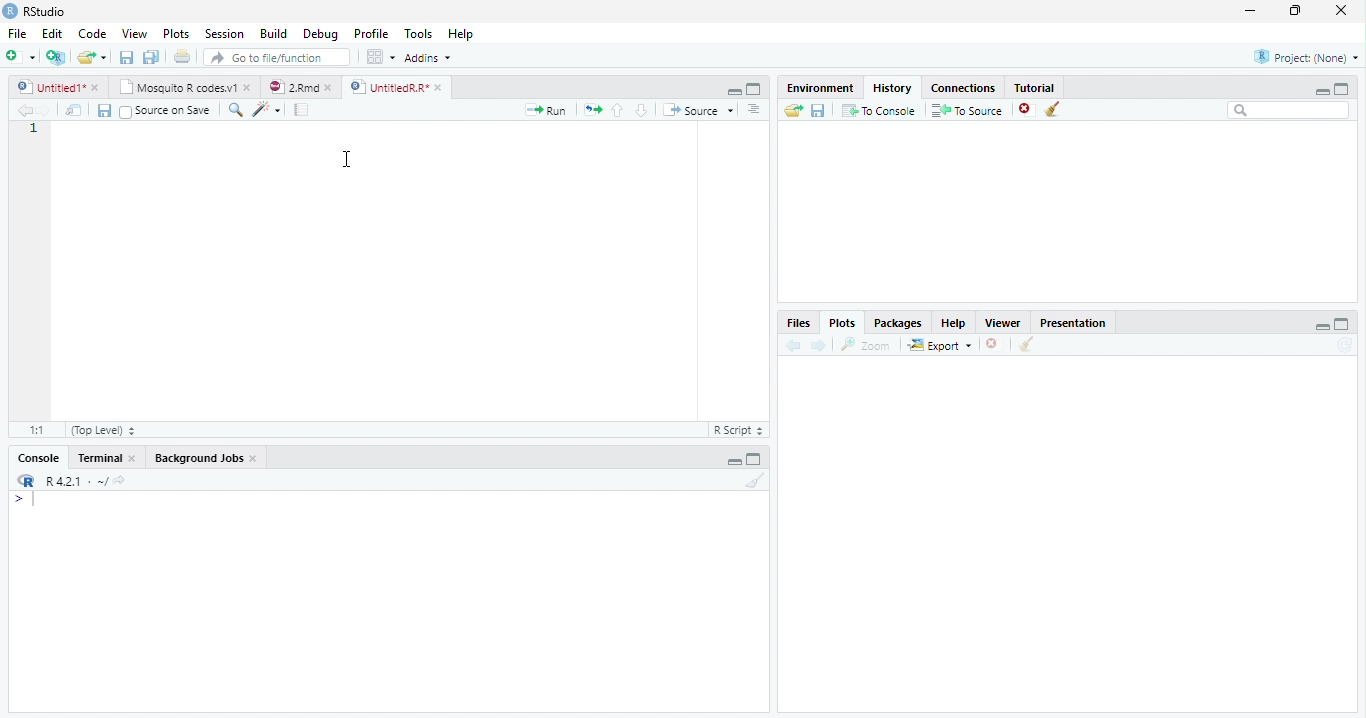 This screenshot has height=718, width=1366. I want to click on Clean, so click(1056, 109).